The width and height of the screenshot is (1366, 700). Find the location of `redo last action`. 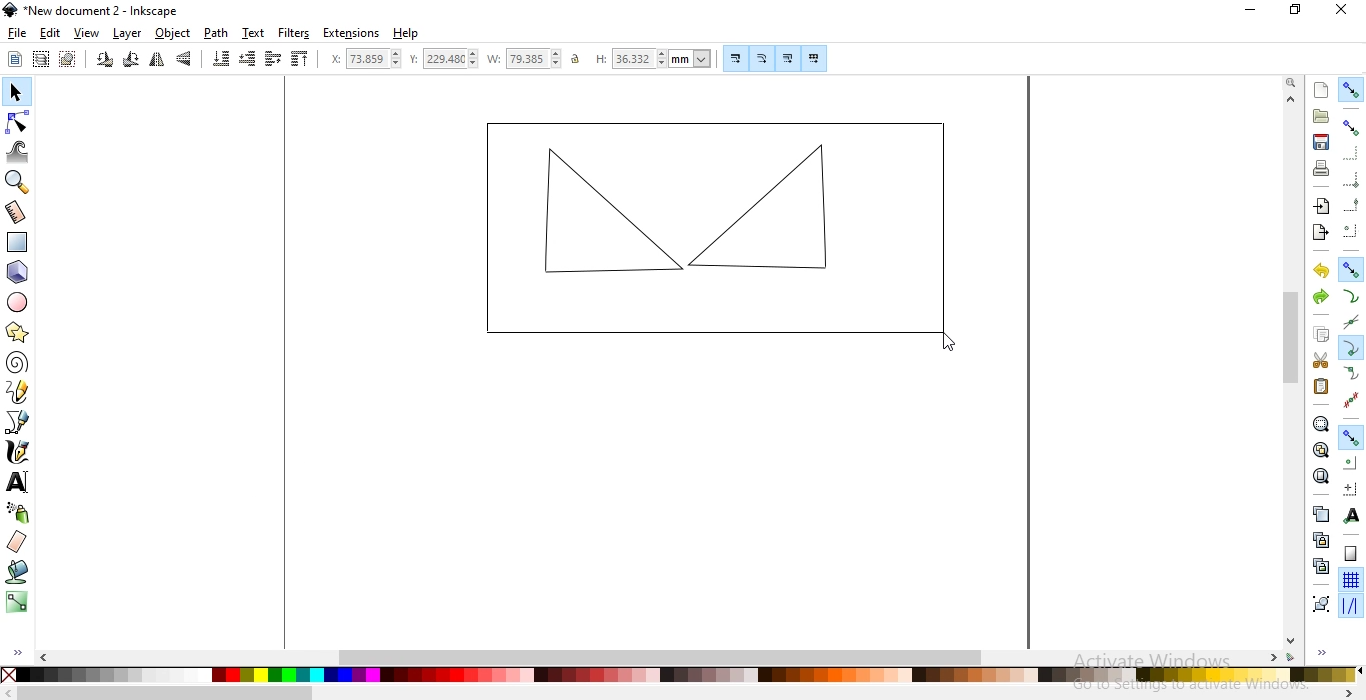

redo last action is located at coordinates (1320, 298).